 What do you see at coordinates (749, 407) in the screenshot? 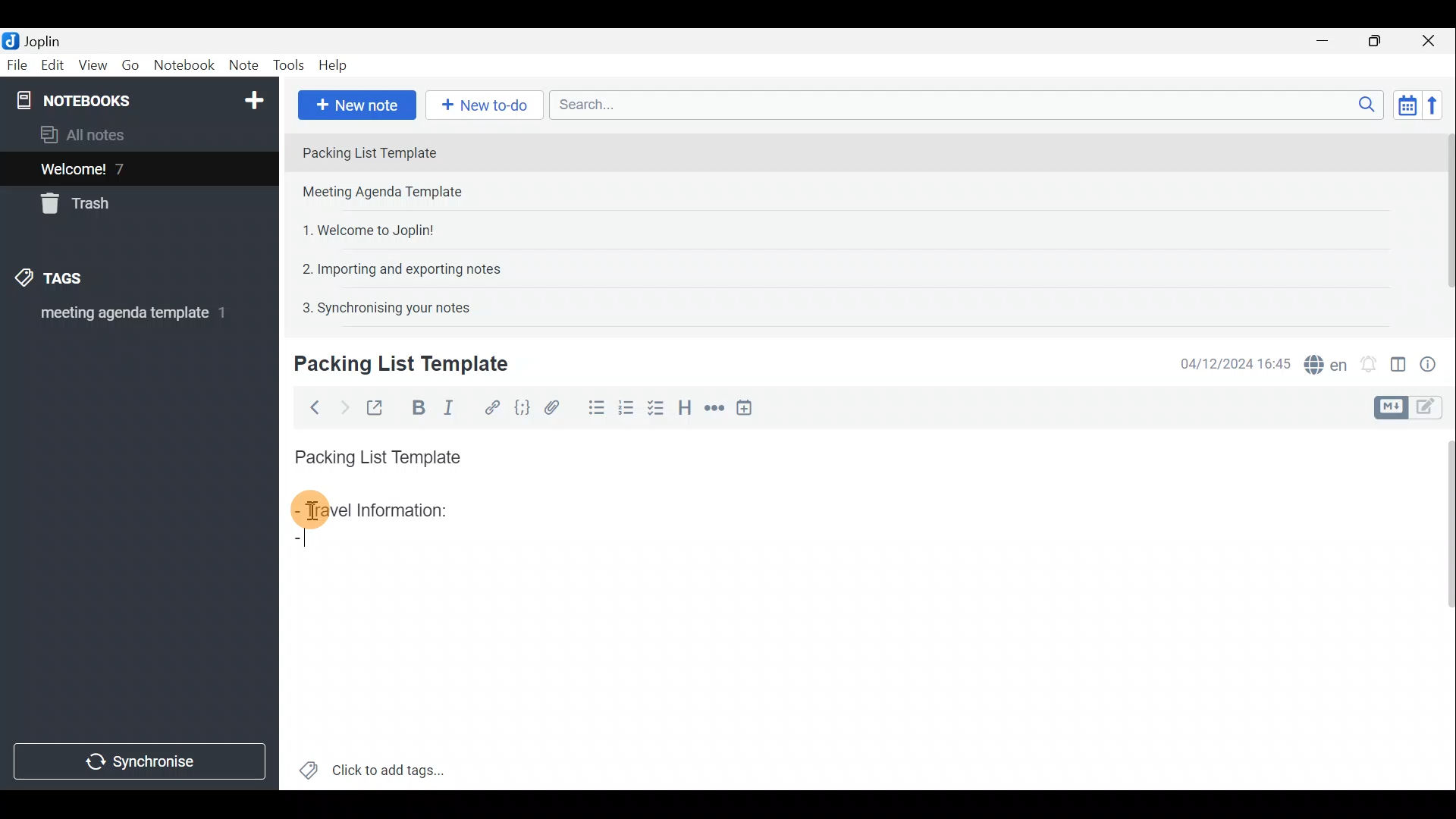
I see `Insert time` at bounding box center [749, 407].